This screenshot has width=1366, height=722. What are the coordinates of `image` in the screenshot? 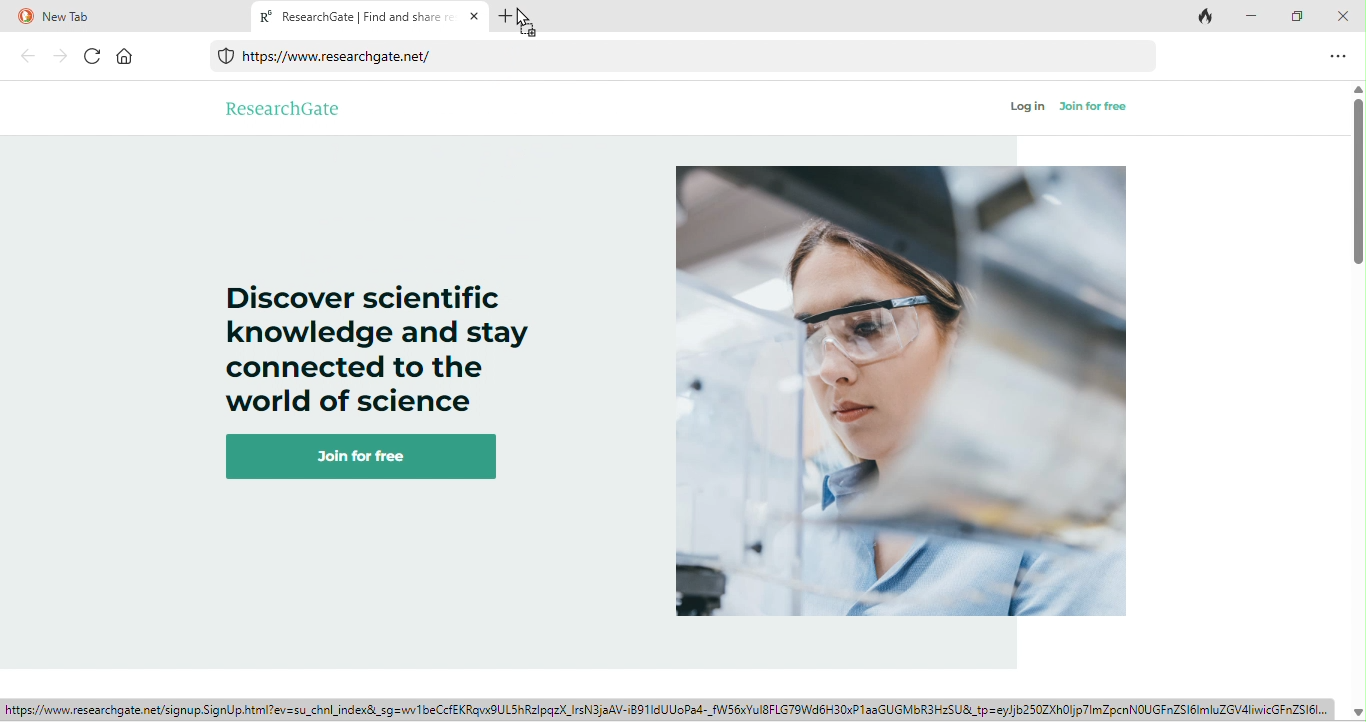 It's located at (903, 394).